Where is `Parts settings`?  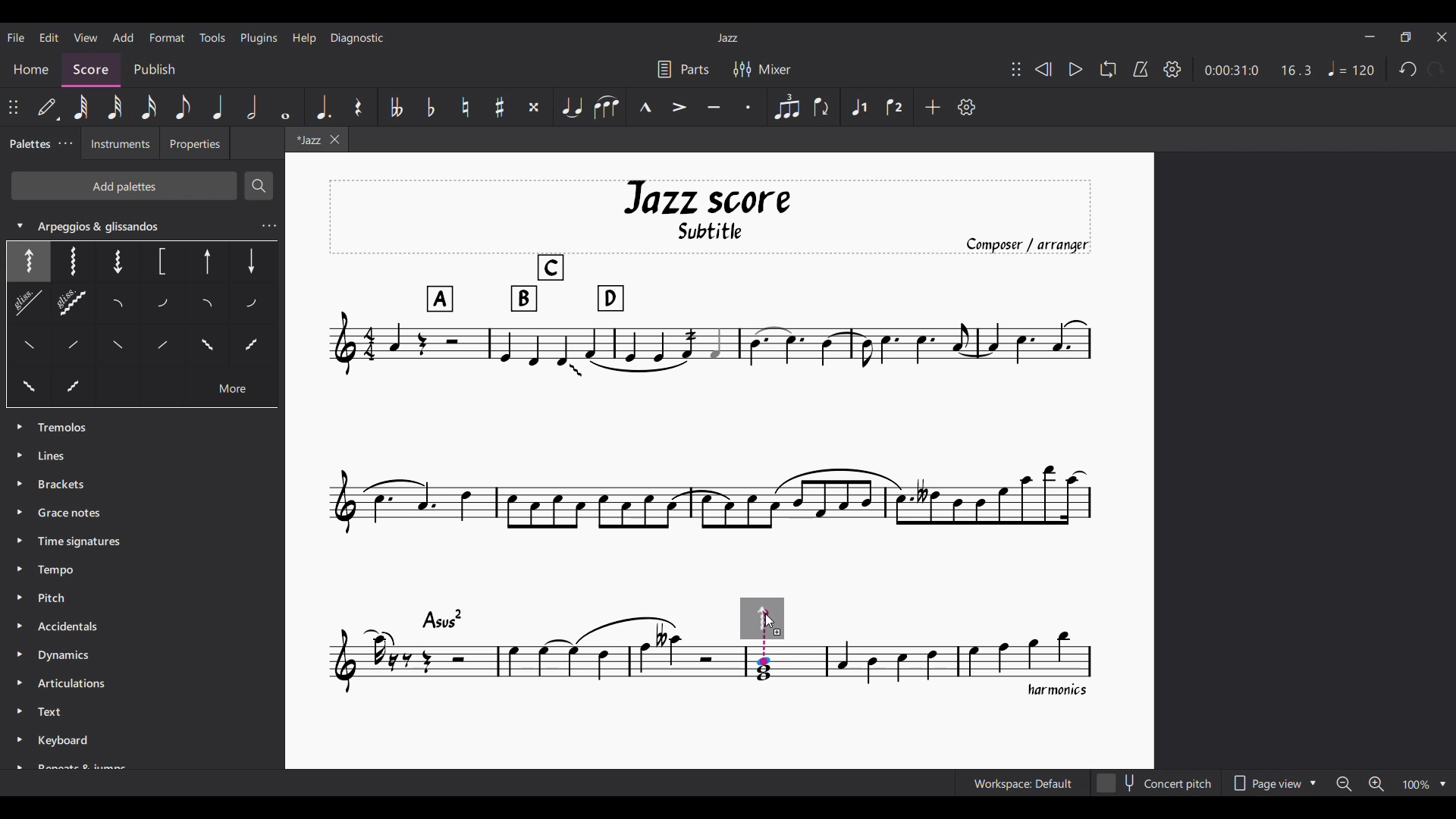
Parts settings is located at coordinates (684, 69).